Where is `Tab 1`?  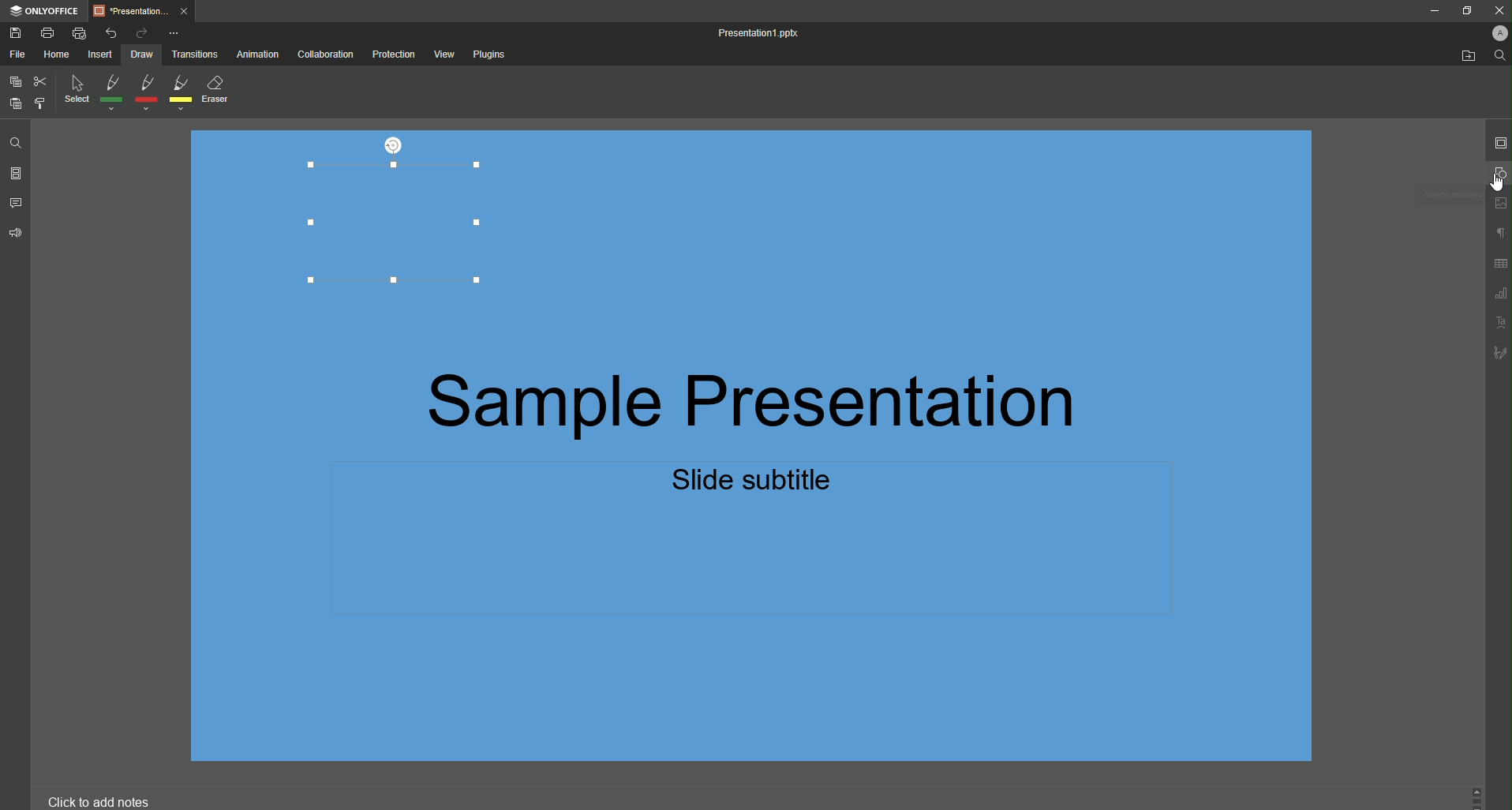
Tab 1 is located at coordinates (146, 12).